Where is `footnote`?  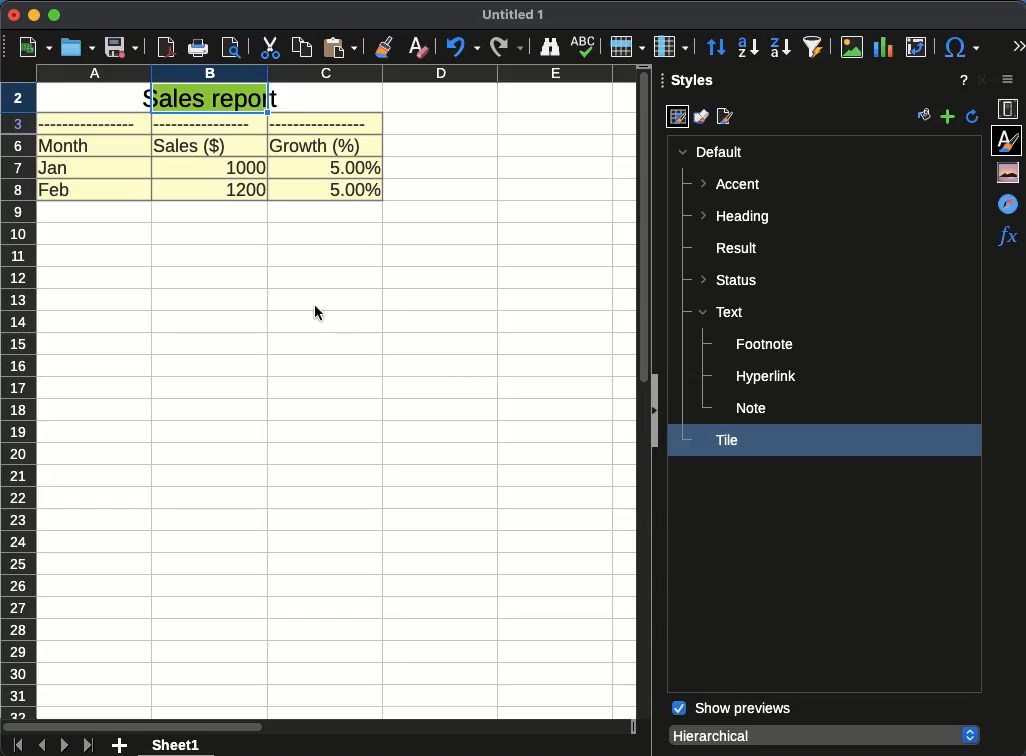 footnote is located at coordinates (765, 345).